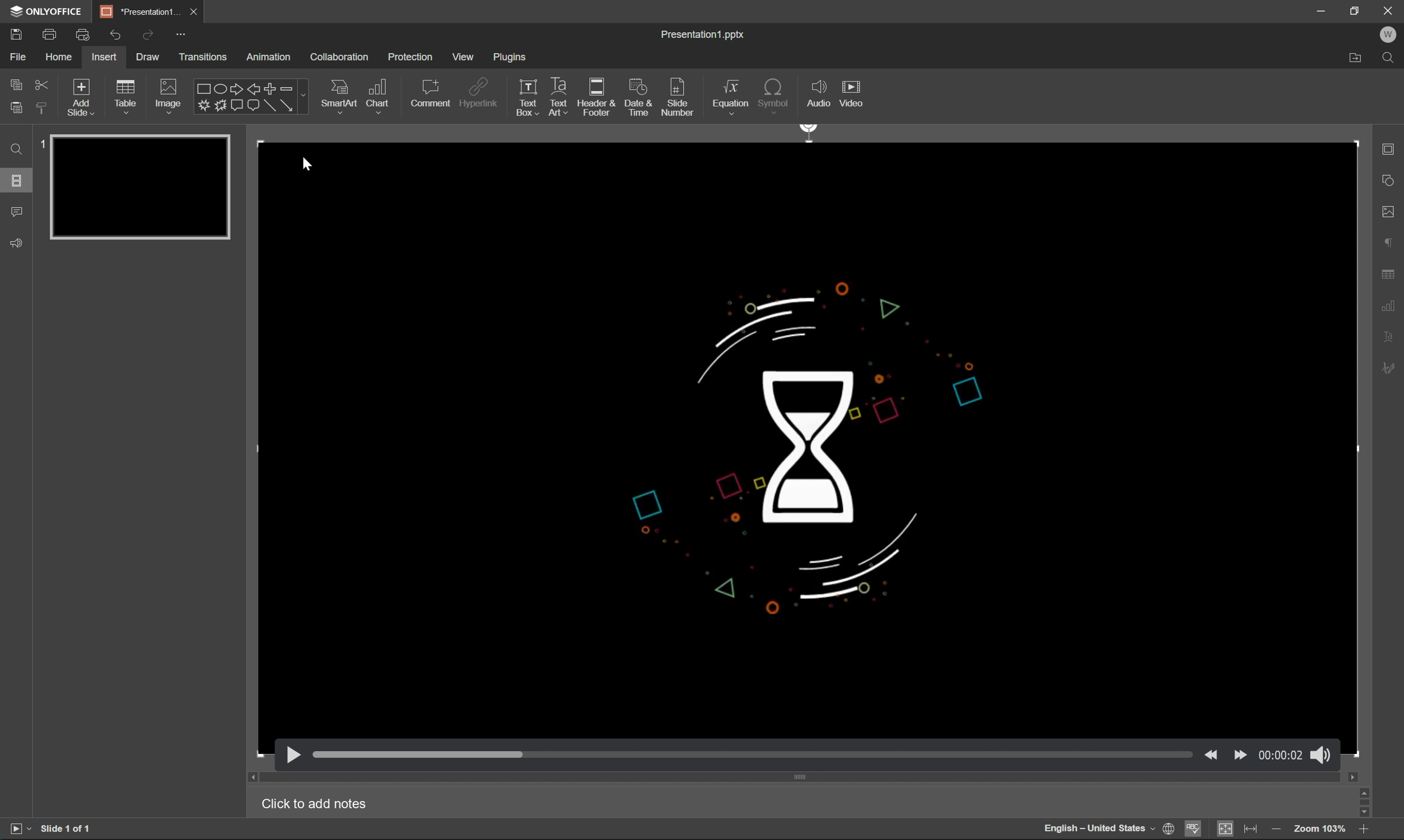 Image resolution: width=1404 pixels, height=840 pixels. Describe the element at coordinates (1367, 802) in the screenshot. I see `scroll bar` at that location.